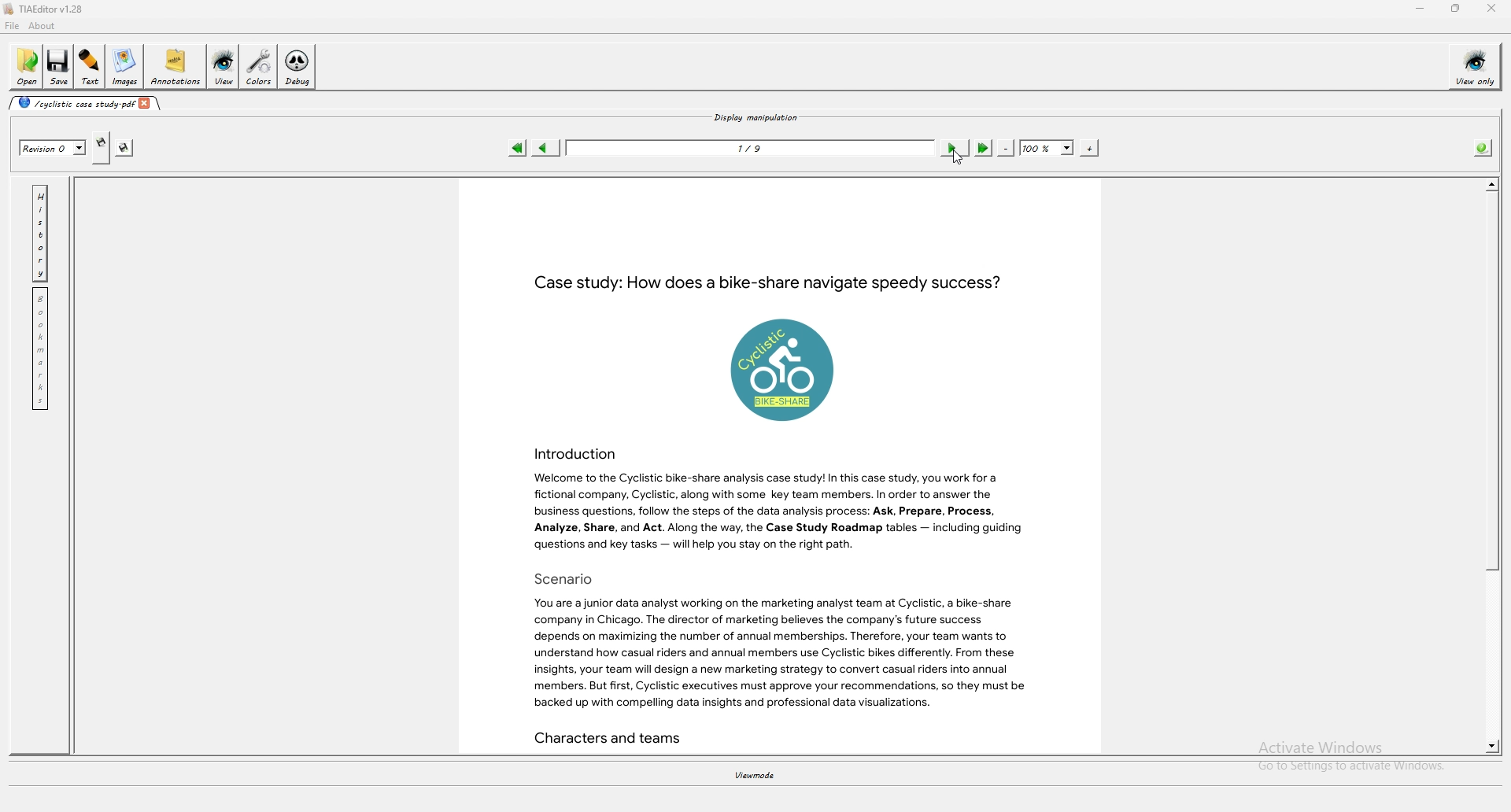  What do you see at coordinates (574, 452) in the screenshot?
I see `Introduction` at bounding box center [574, 452].